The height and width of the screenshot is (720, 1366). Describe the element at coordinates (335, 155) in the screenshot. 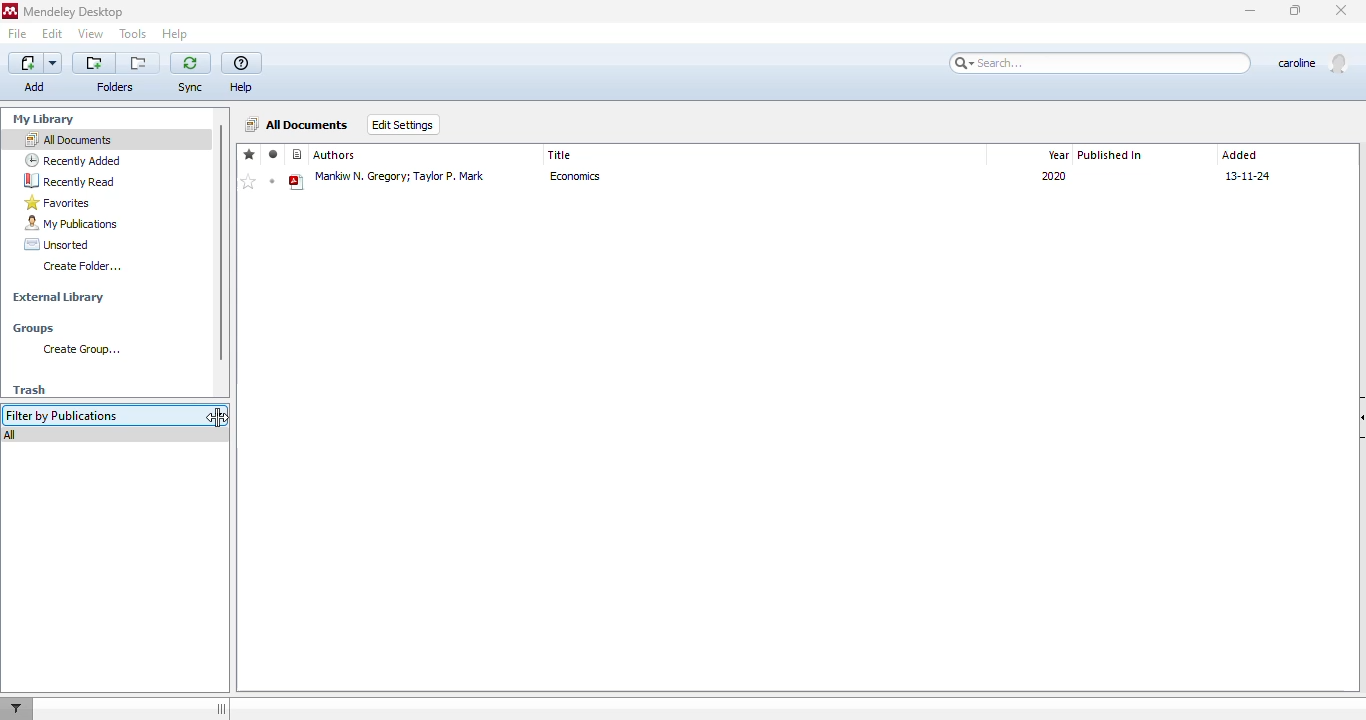

I see `authors` at that location.